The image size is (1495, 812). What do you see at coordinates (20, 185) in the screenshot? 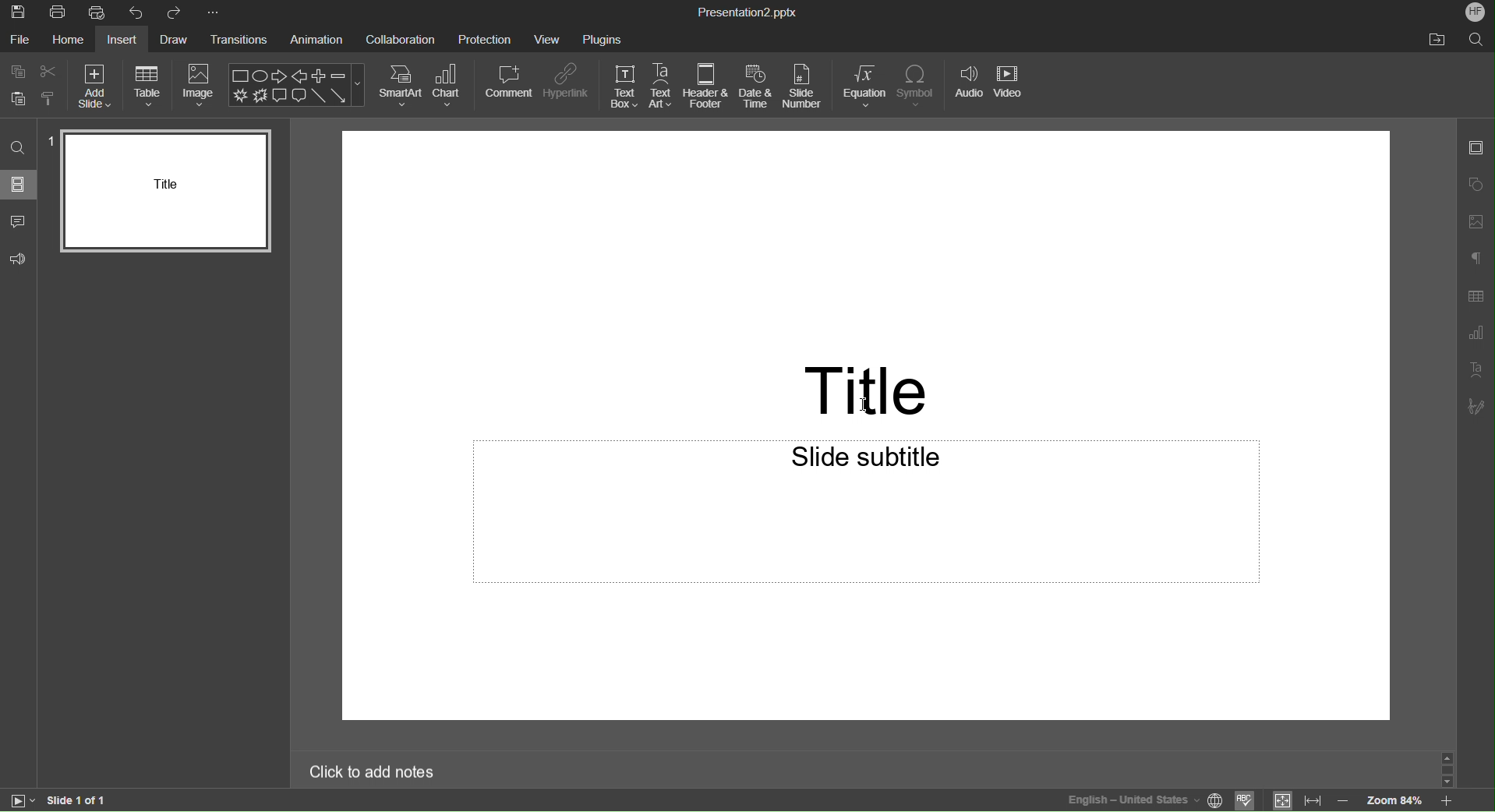
I see `Slides` at bounding box center [20, 185].